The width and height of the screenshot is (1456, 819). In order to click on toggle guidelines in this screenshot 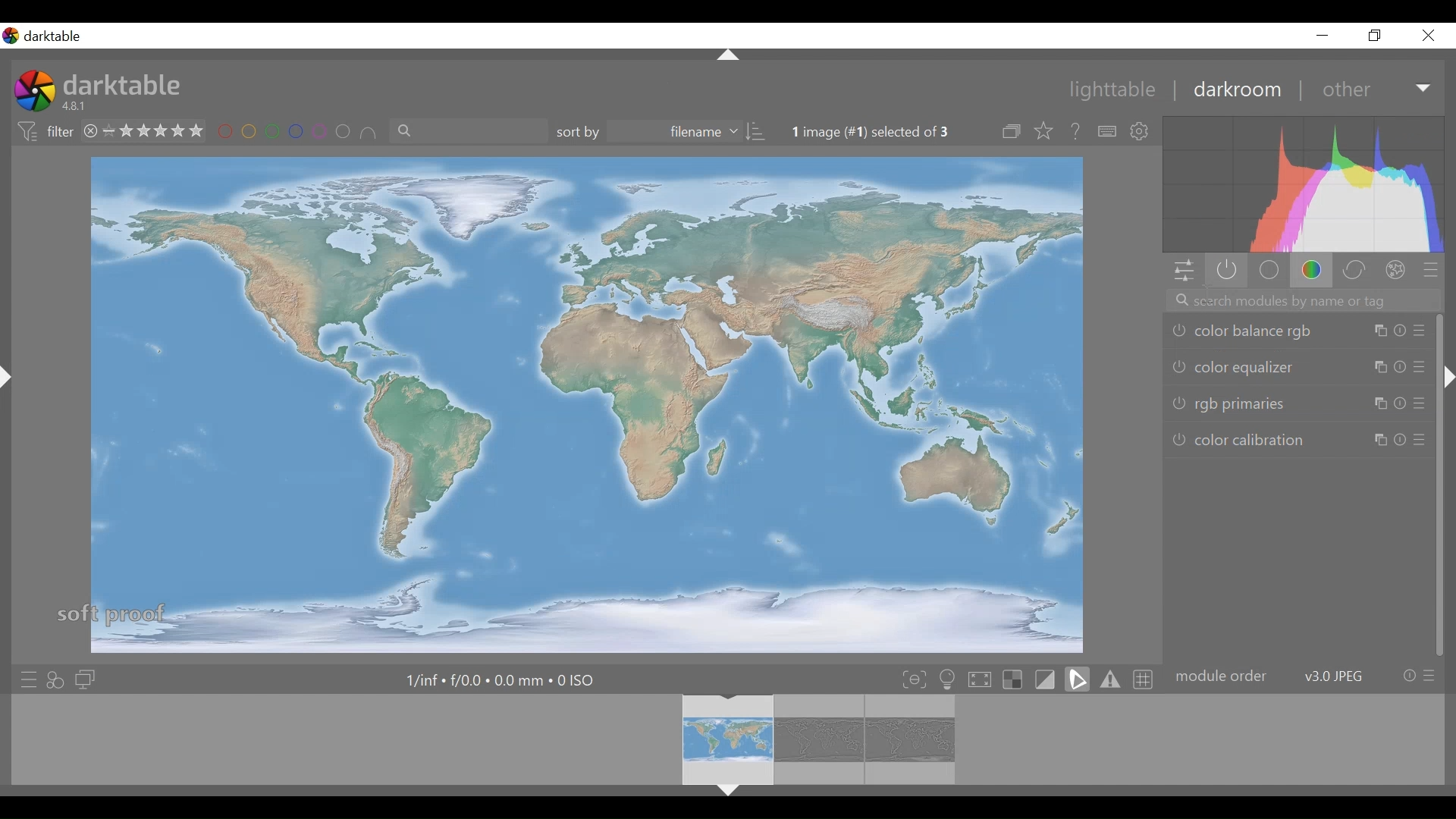, I will do `click(1141, 679)`.